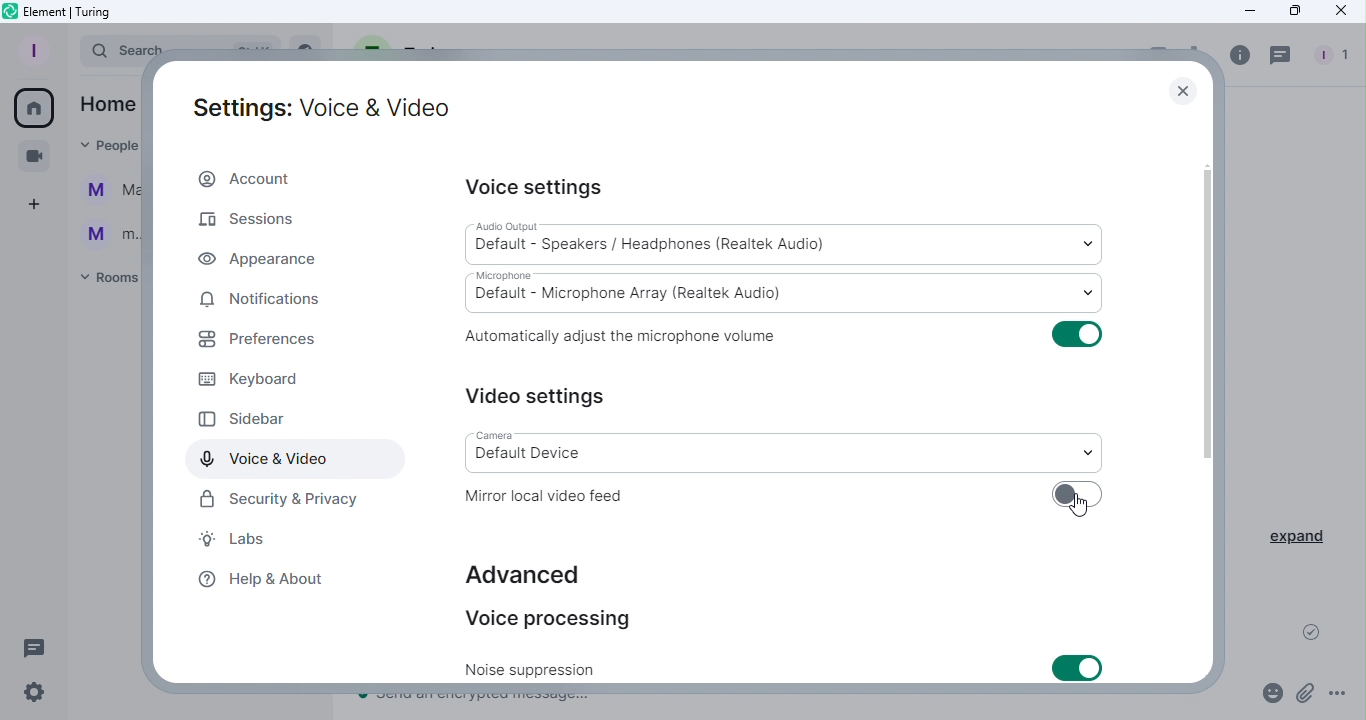 The height and width of the screenshot is (720, 1366). Describe the element at coordinates (1268, 696) in the screenshot. I see `Emoji` at that location.